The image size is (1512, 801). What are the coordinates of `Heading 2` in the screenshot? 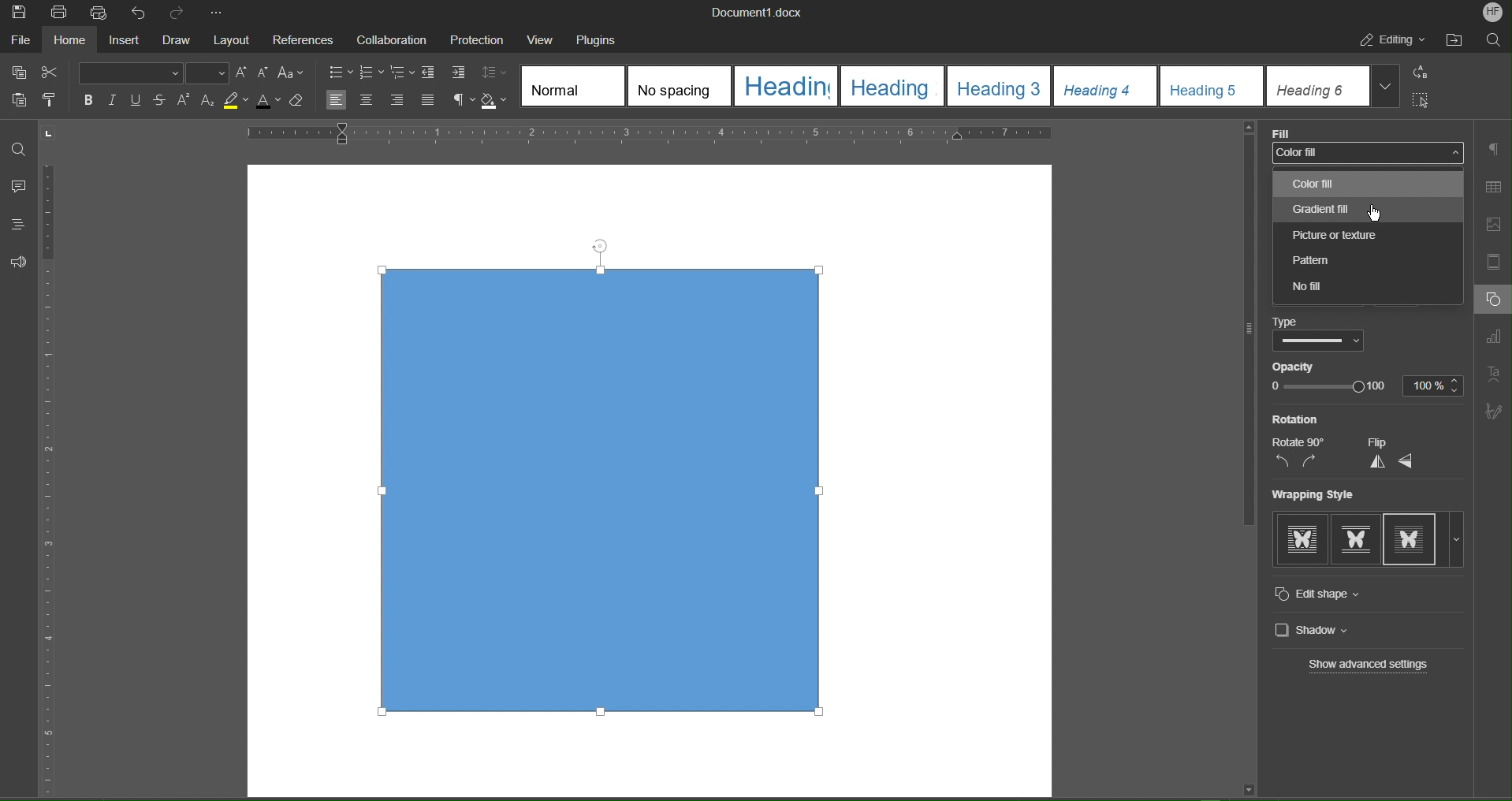 It's located at (891, 87).